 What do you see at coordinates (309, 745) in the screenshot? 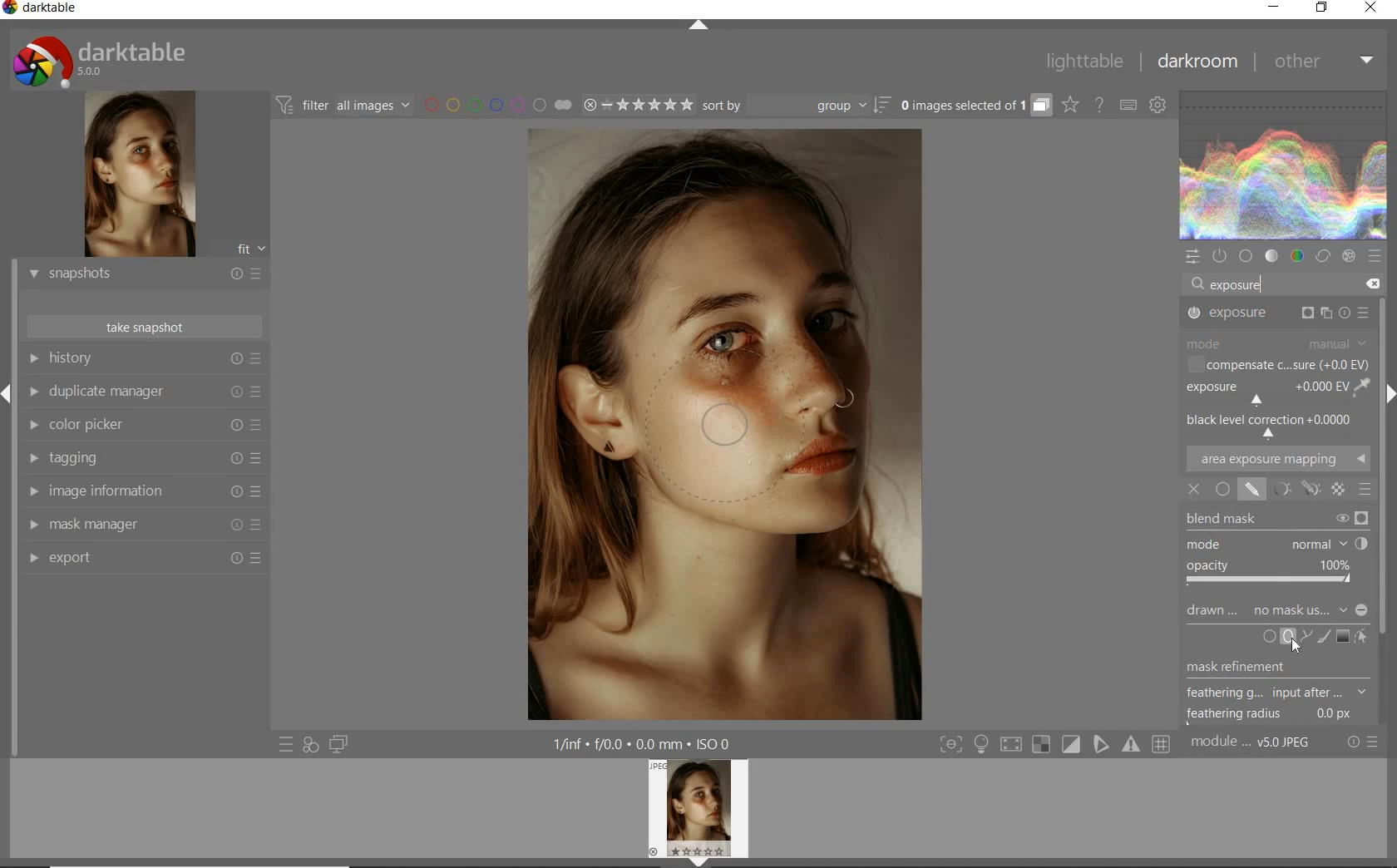
I see `quick access for applying any of your styles` at bounding box center [309, 745].